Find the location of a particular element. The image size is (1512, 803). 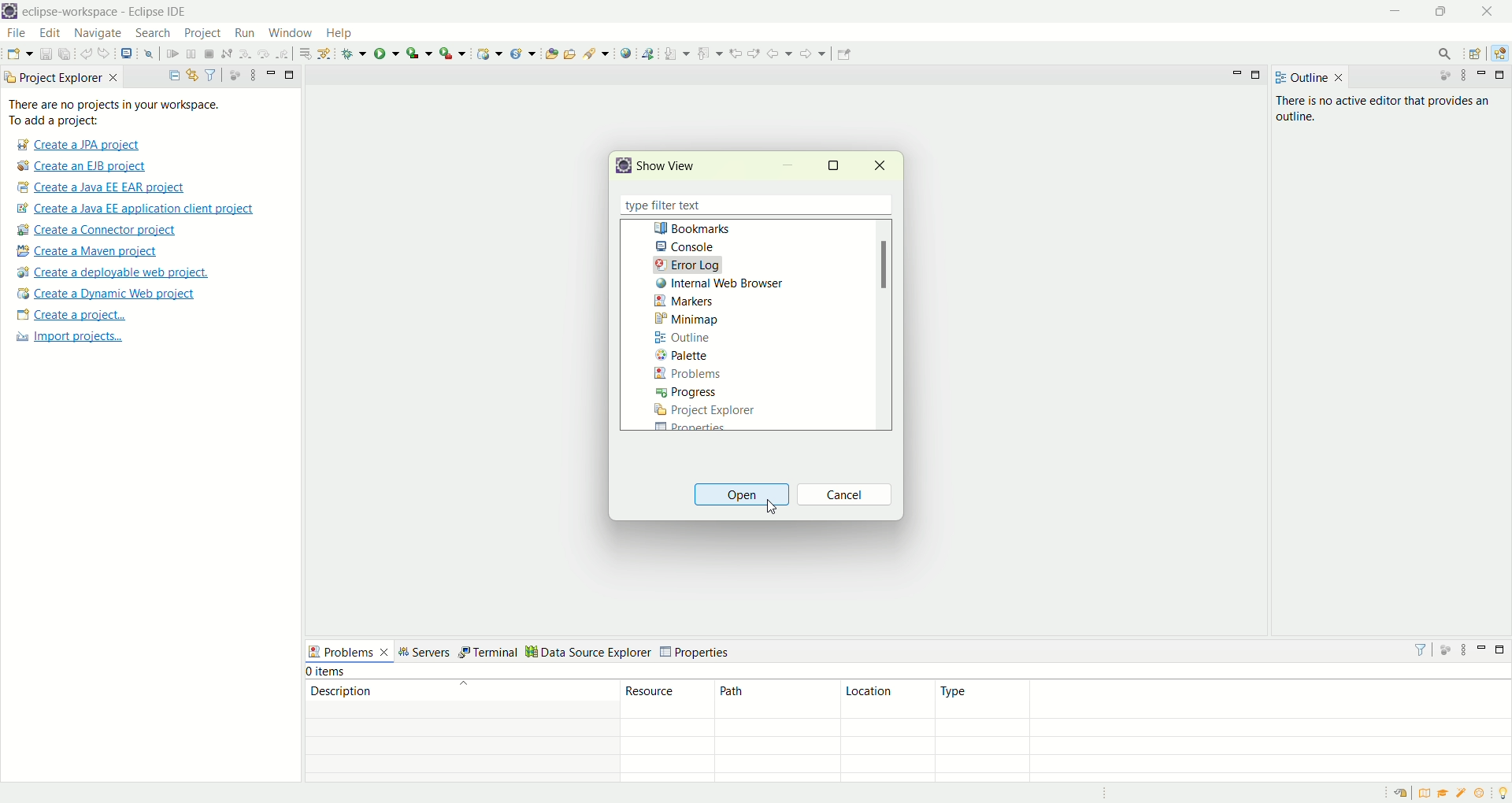

logo is located at coordinates (9, 11).